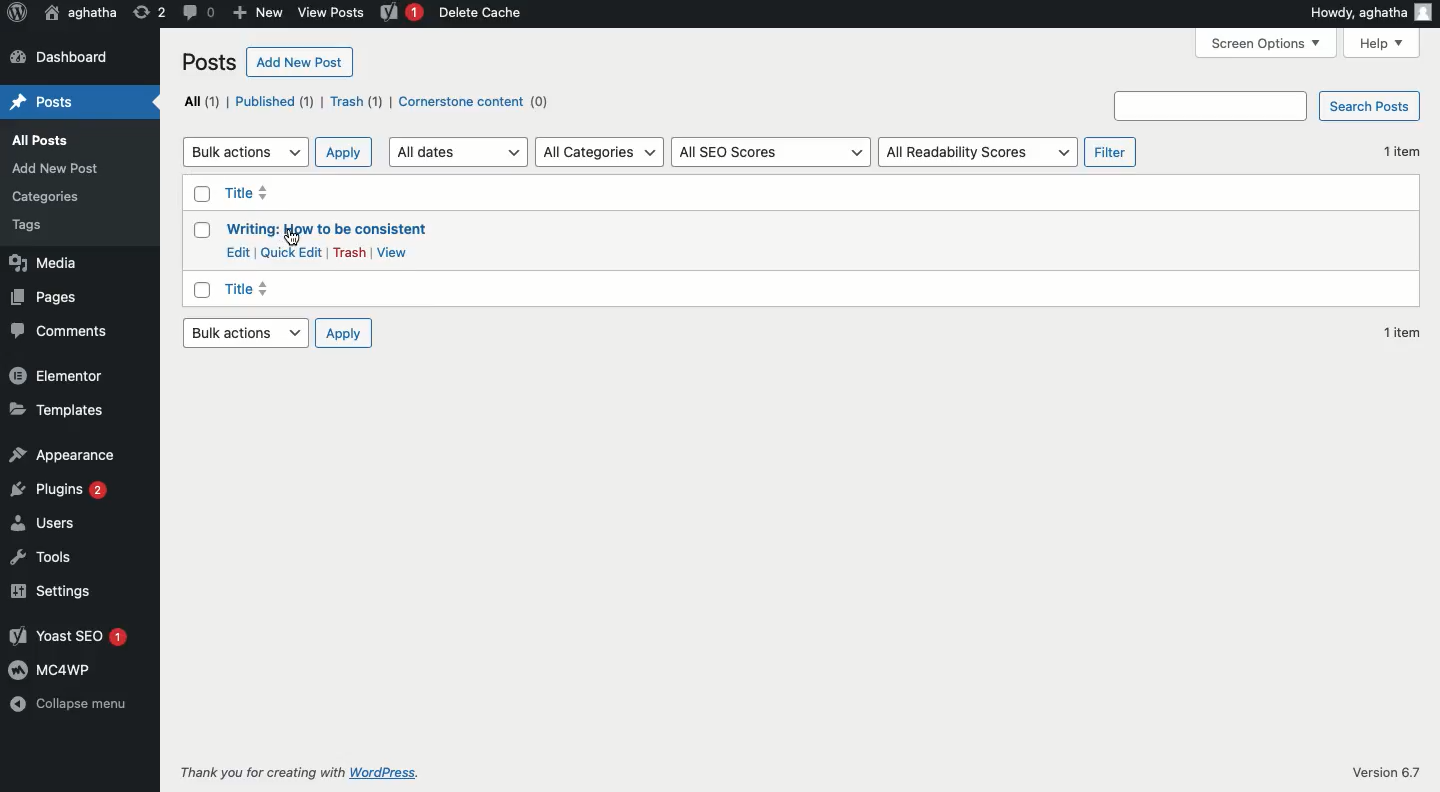  What do you see at coordinates (329, 230) in the screenshot?
I see `Writing: how to be consistent` at bounding box center [329, 230].